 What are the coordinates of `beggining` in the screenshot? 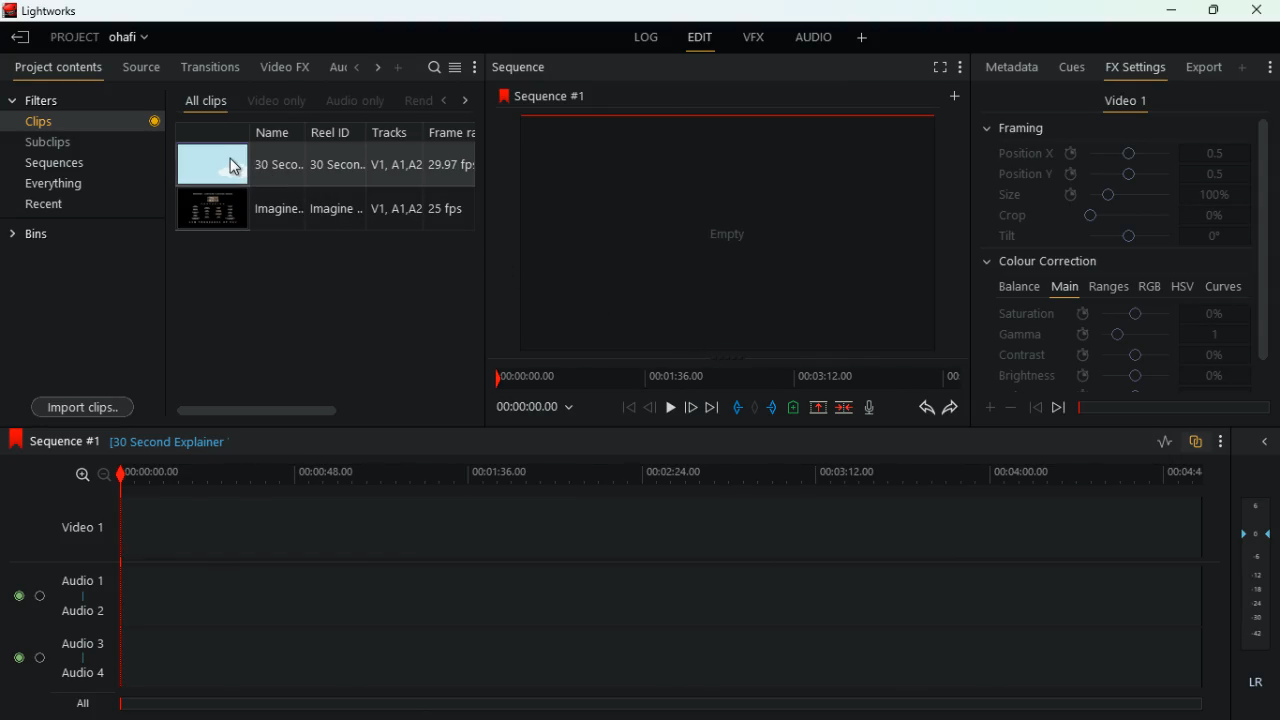 It's located at (622, 407).